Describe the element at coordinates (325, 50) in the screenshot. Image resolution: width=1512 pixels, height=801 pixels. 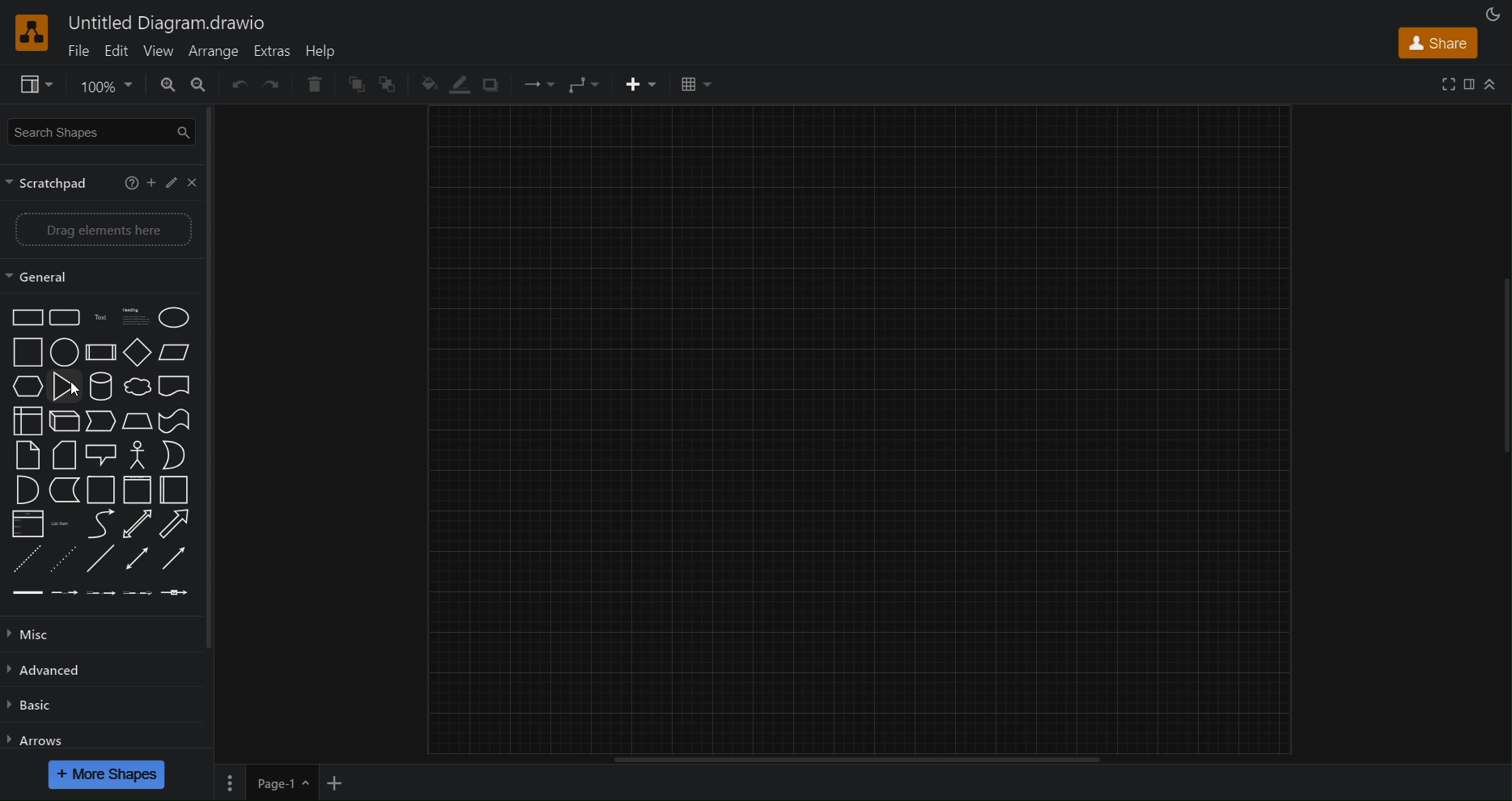
I see `Help` at that location.